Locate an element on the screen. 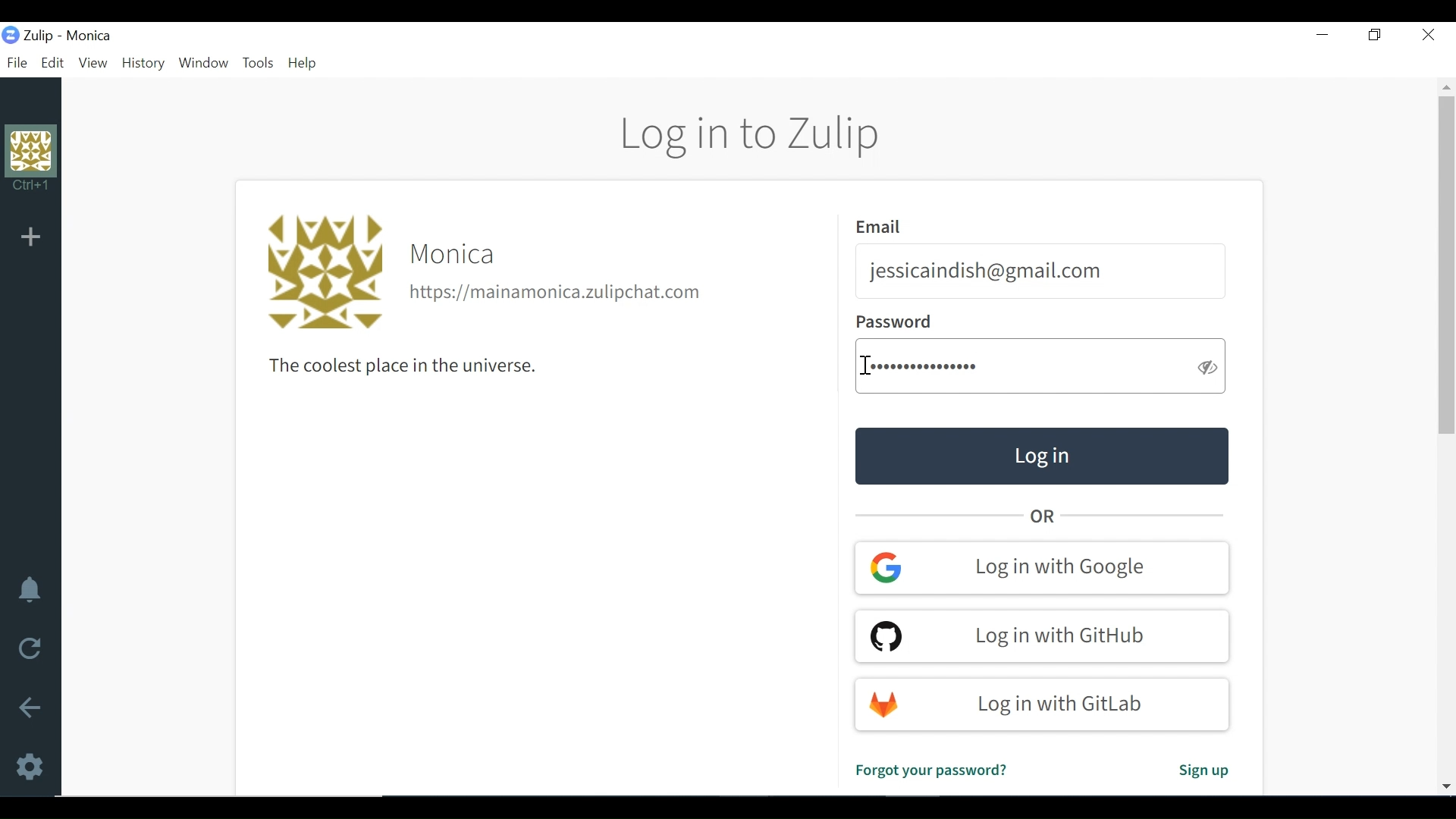 The height and width of the screenshot is (819, 1456). Organisation name is located at coordinates (456, 255).